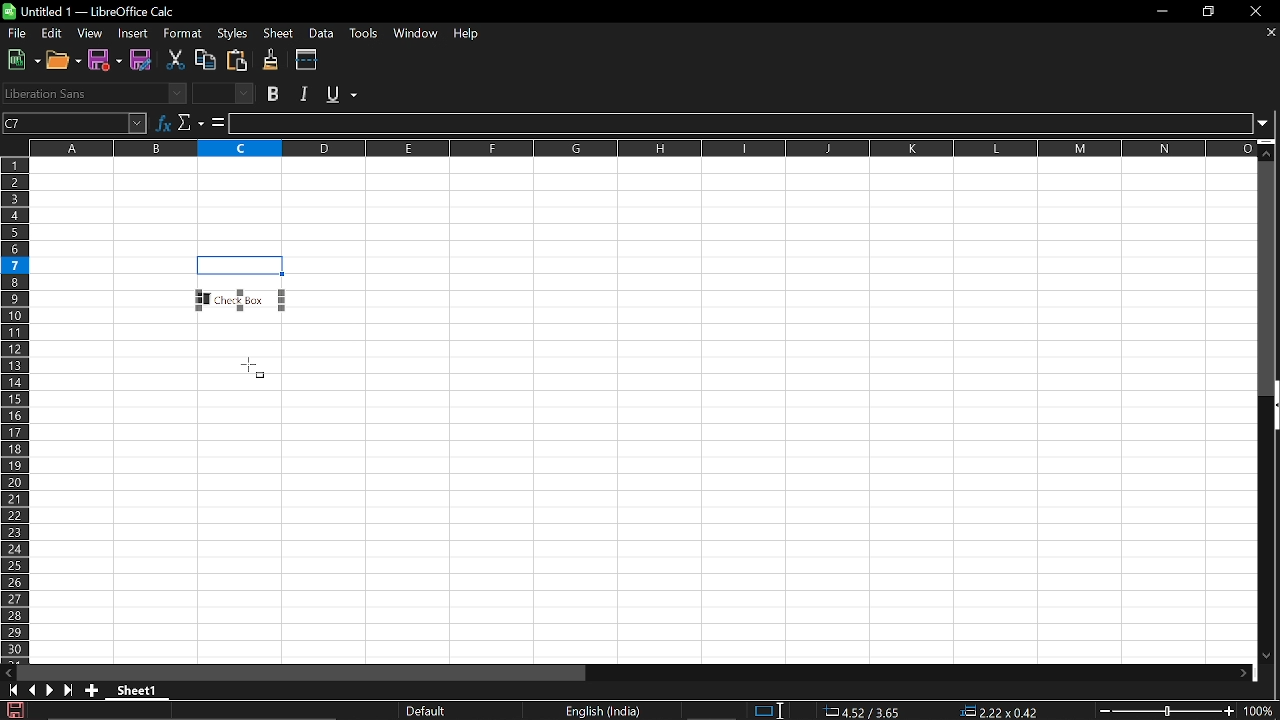 This screenshot has width=1280, height=720. Describe the element at coordinates (644, 206) in the screenshot. I see `Fillable cells` at that location.